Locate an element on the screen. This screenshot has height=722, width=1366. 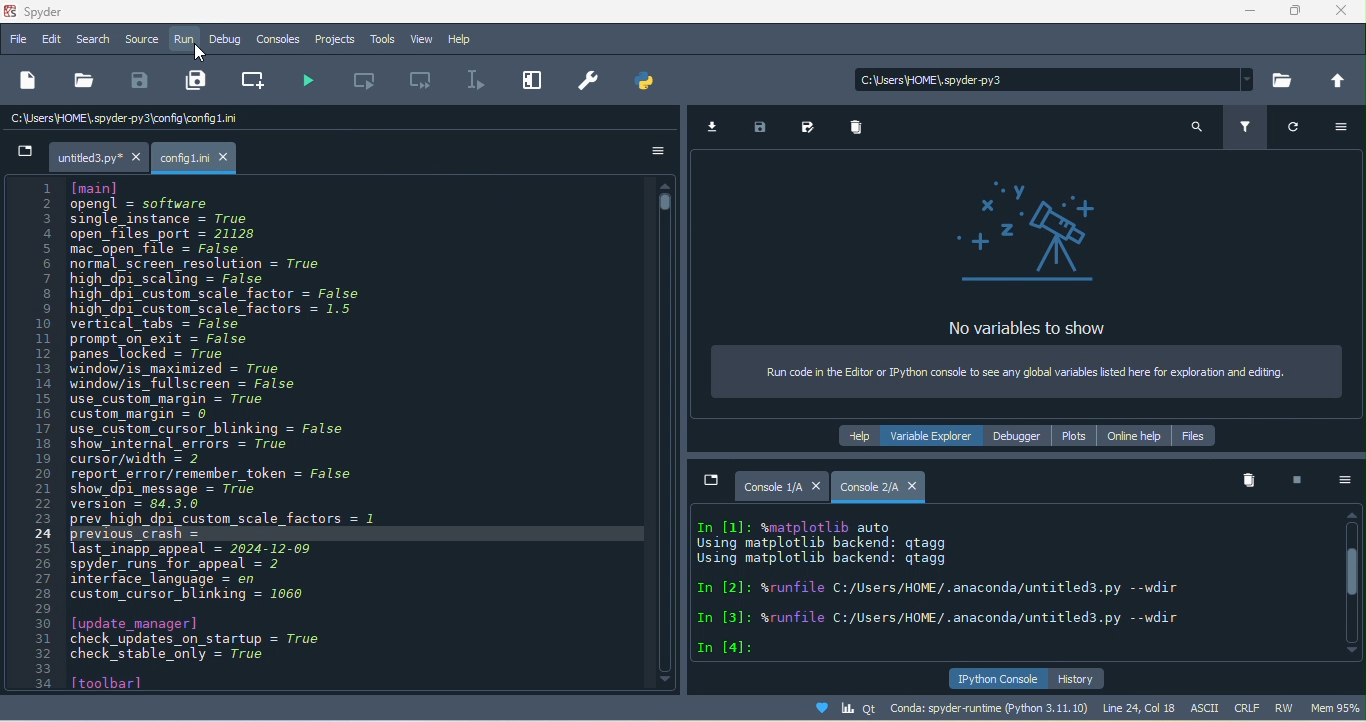
variable explorer is located at coordinates (934, 435).